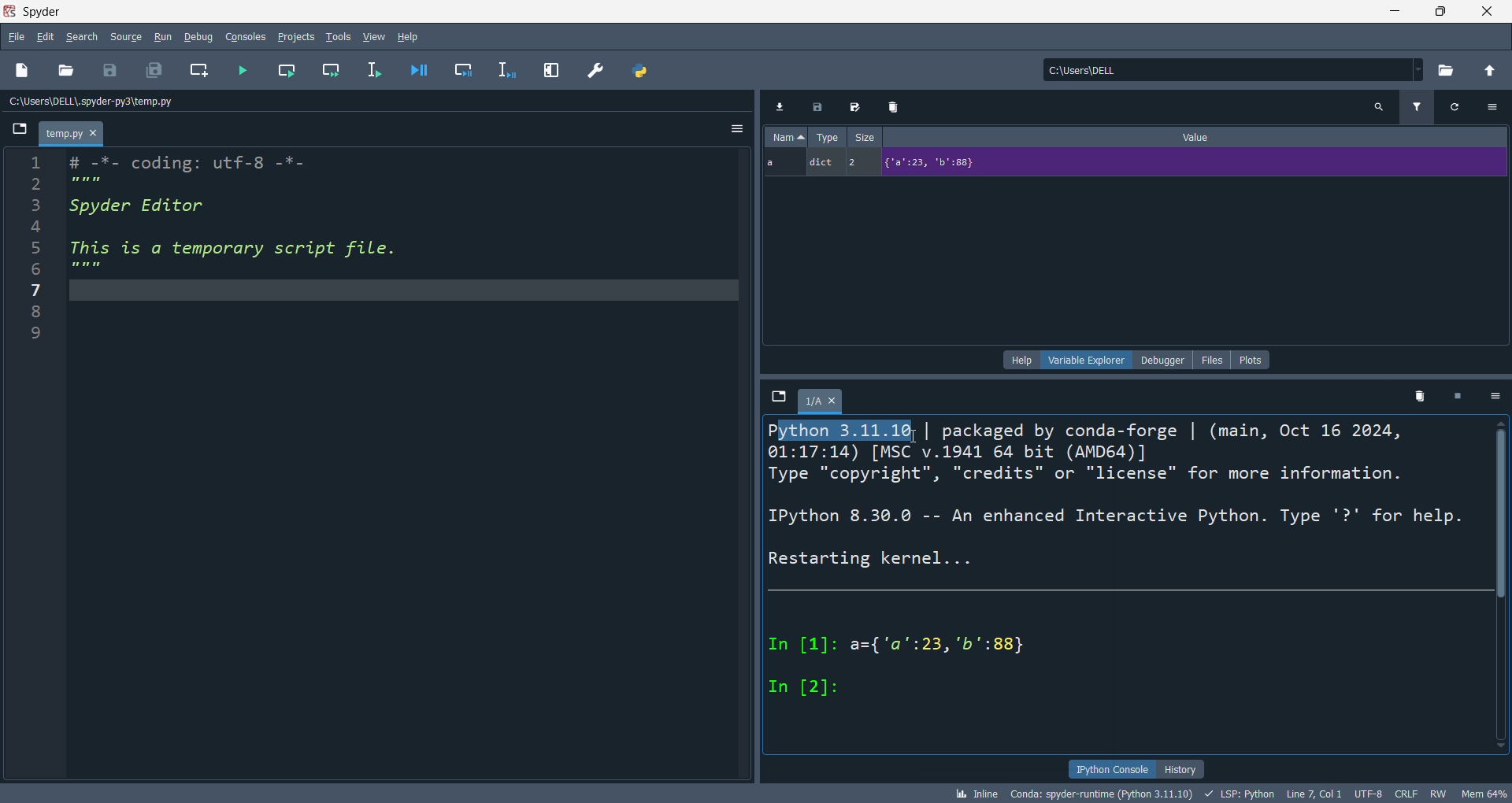  I want to click on help, so click(411, 37).